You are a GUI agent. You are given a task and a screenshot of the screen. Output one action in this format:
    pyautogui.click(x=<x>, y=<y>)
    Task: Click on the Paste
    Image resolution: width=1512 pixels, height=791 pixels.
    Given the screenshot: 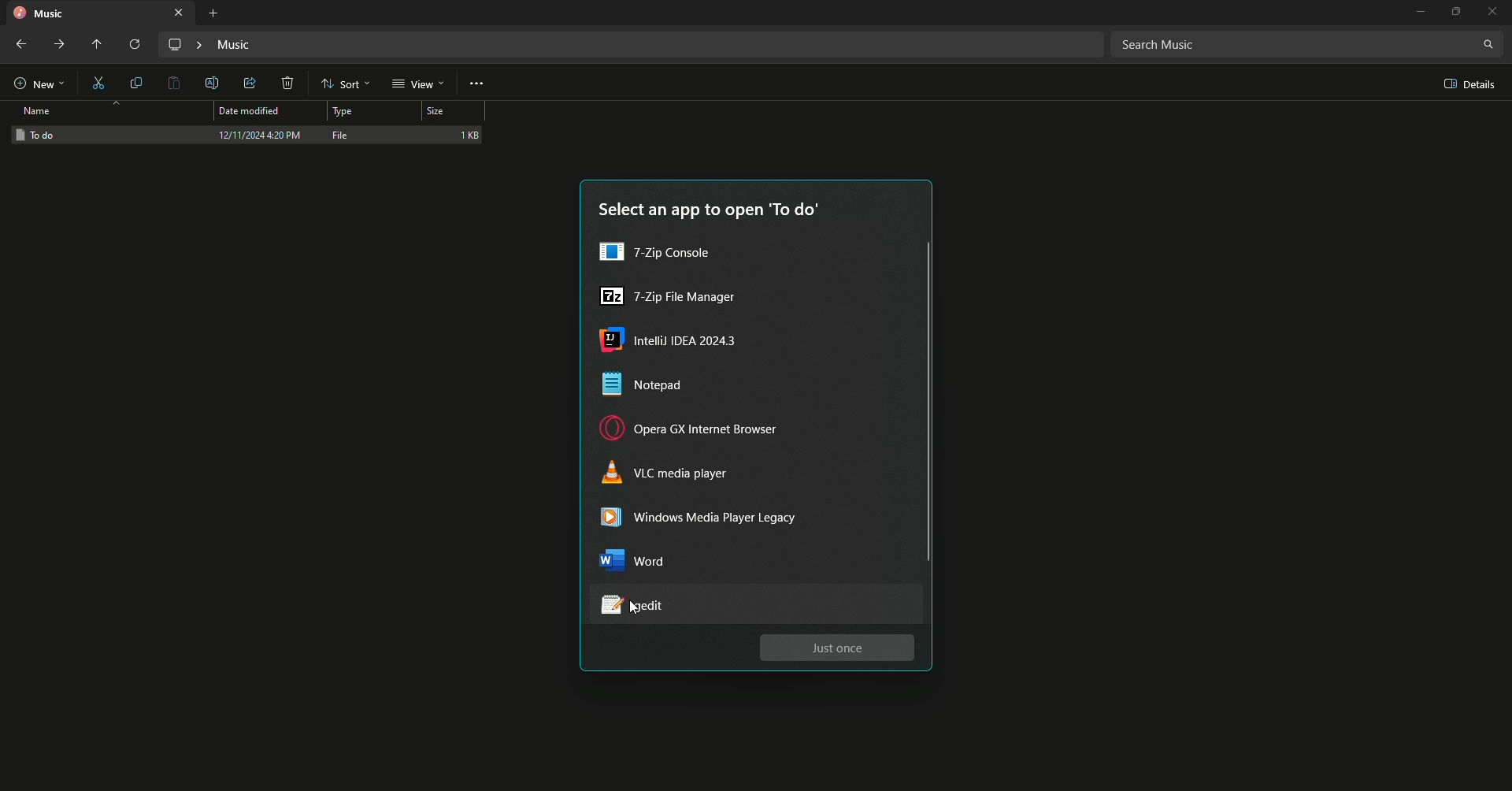 What is the action you would take?
    pyautogui.click(x=174, y=84)
    